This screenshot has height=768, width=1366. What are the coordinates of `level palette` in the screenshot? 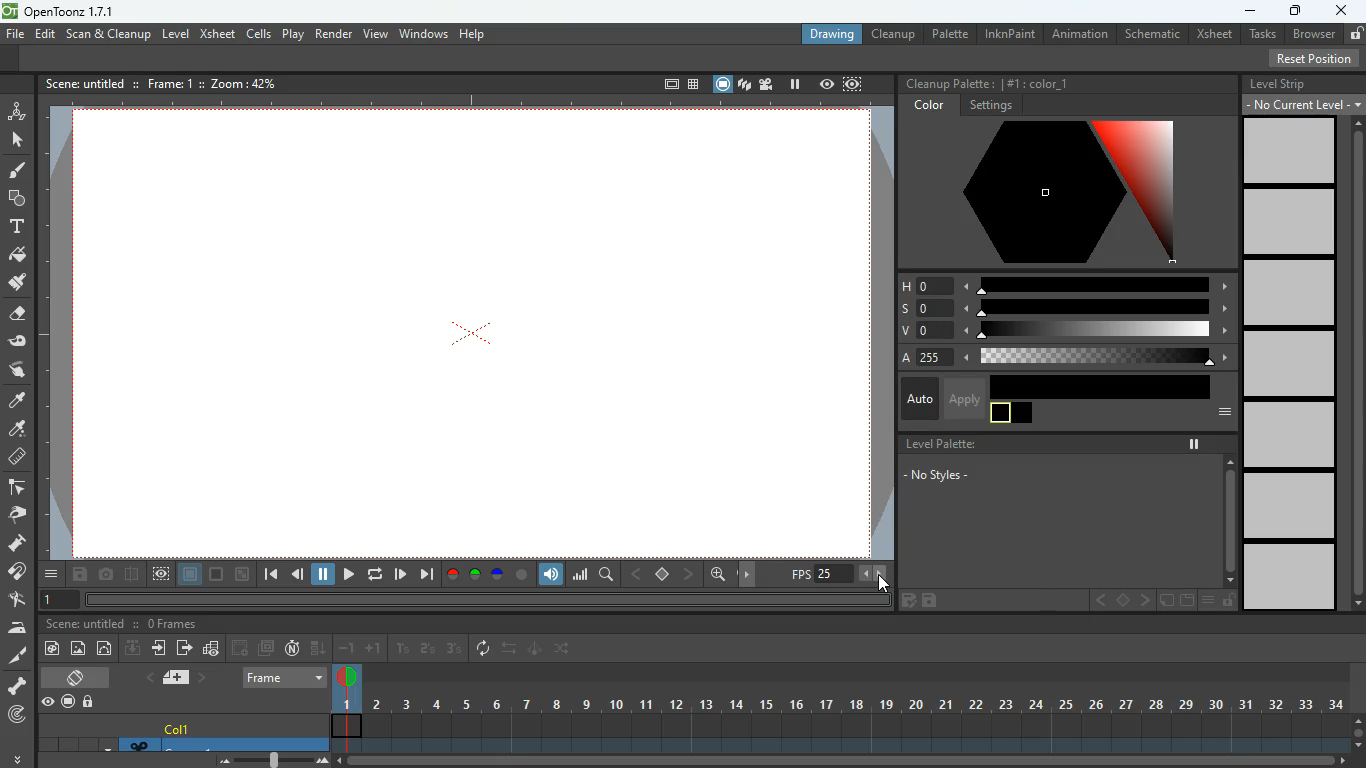 It's located at (943, 444).